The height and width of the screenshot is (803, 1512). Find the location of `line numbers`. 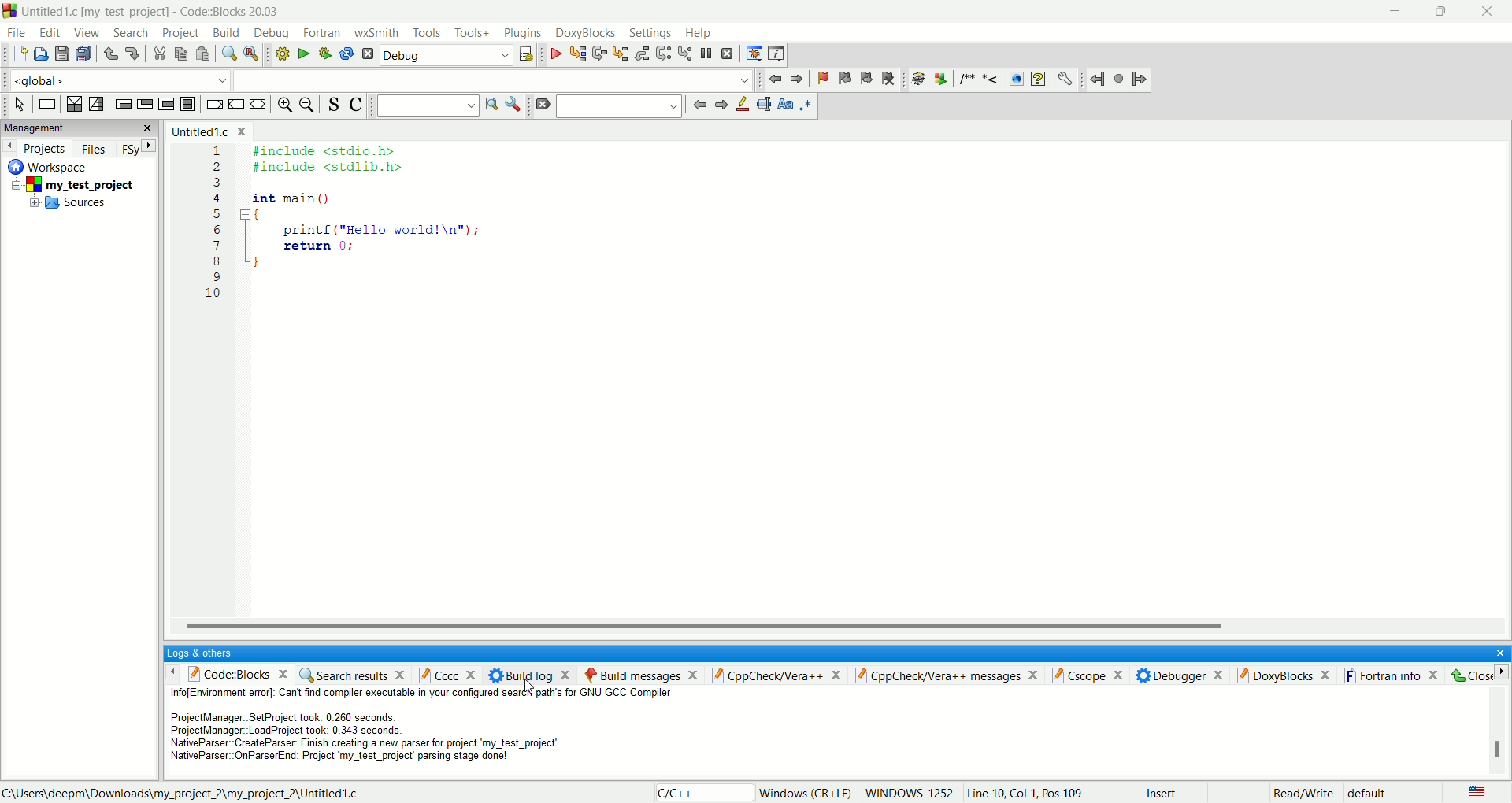

line numbers is located at coordinates (216, 231).